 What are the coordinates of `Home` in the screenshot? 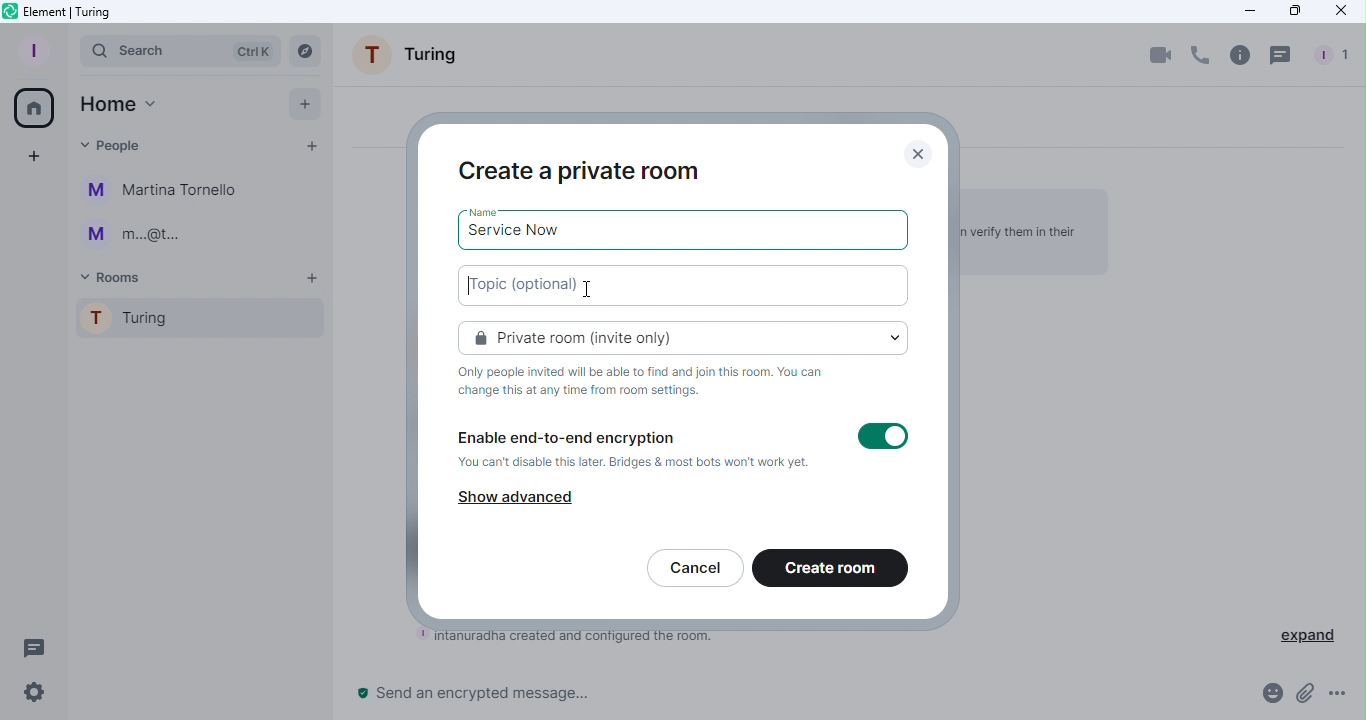 It's located at (31, 105).